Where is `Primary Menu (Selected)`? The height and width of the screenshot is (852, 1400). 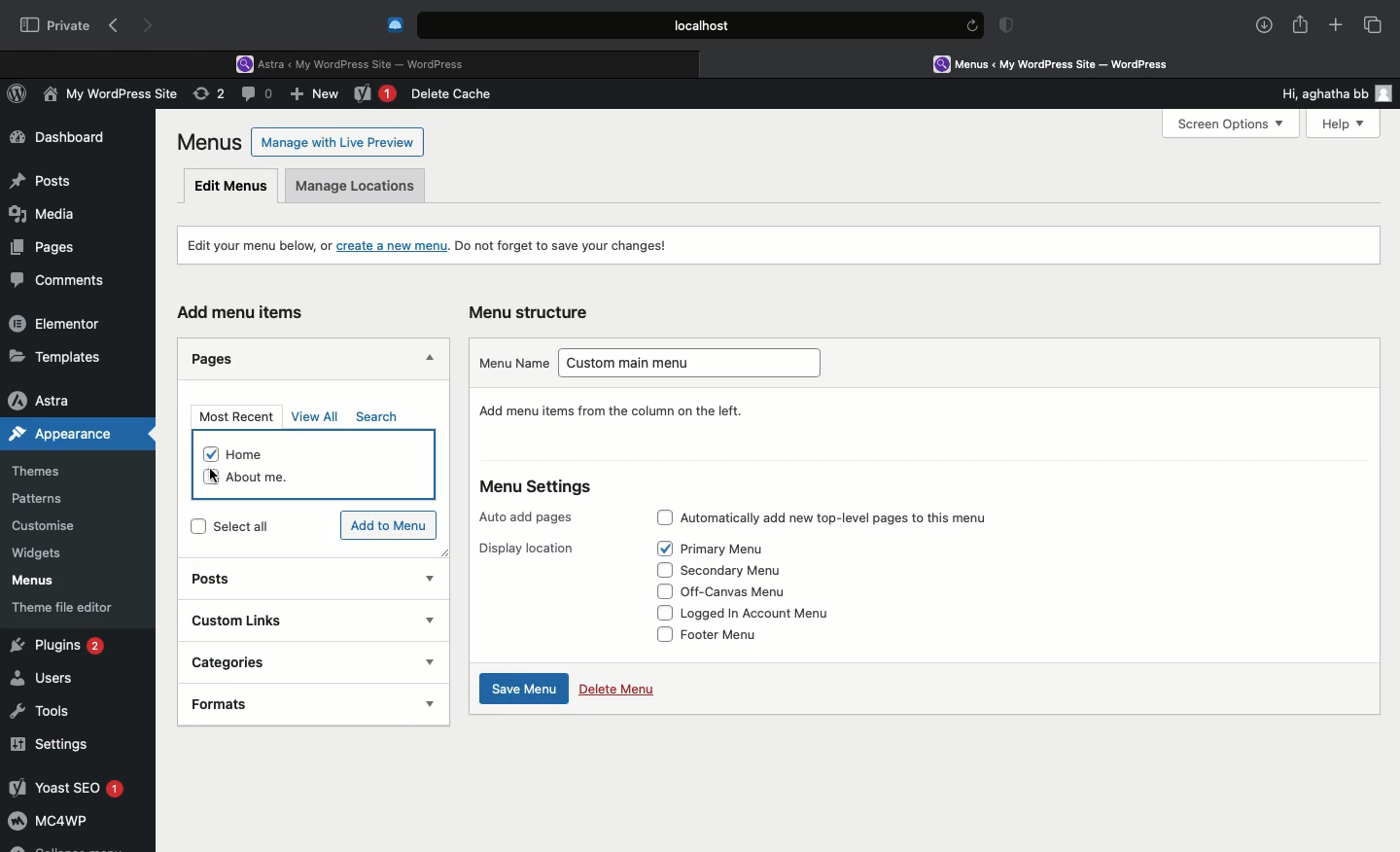
Primary Menu (Selected) is located at coordinates (737, 548).